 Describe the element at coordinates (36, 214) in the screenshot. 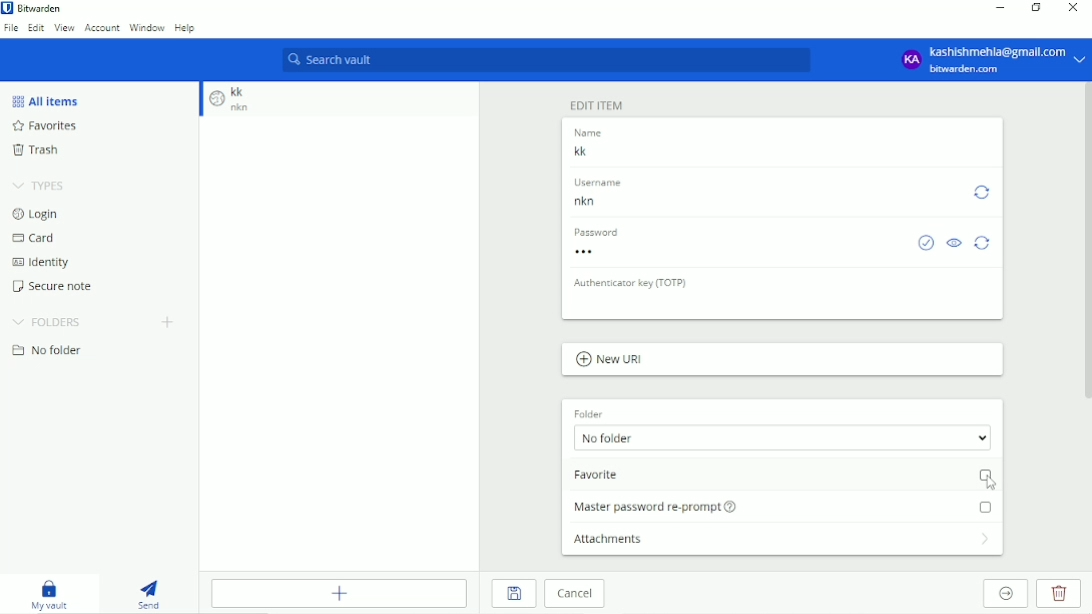

I see `Login` at that location.